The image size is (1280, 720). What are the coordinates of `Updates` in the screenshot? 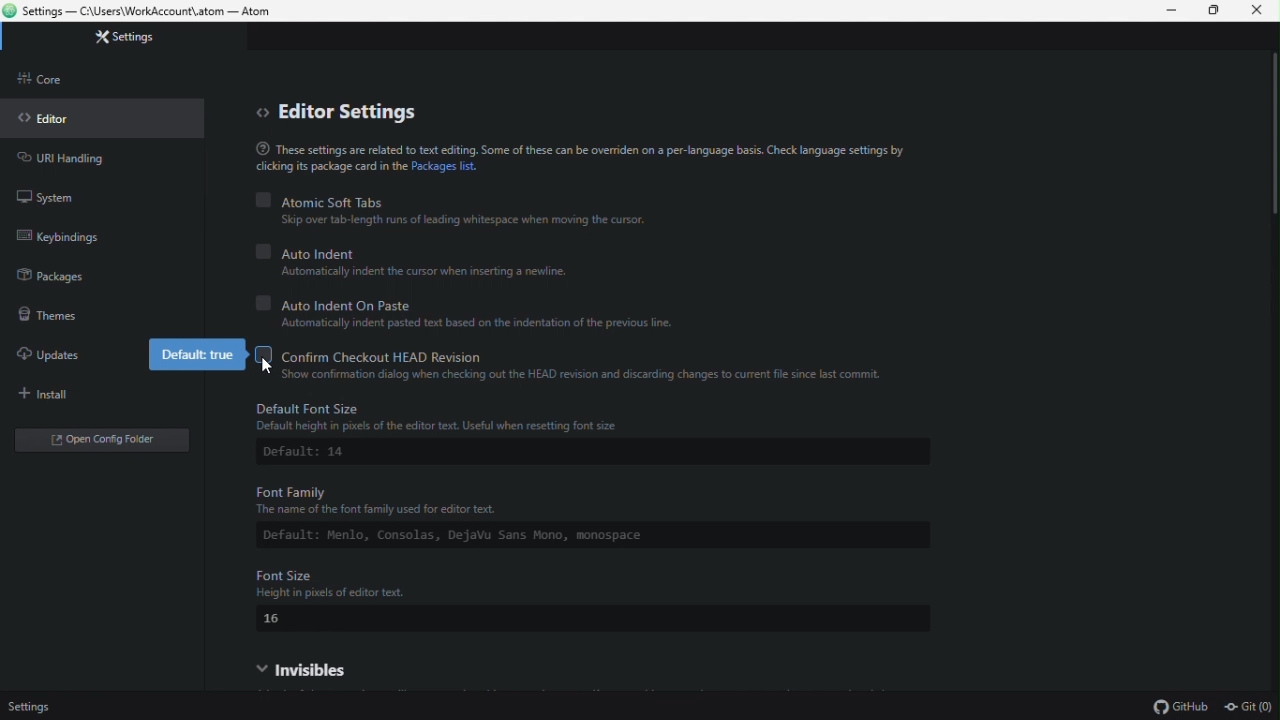 It's located at (63, 353).